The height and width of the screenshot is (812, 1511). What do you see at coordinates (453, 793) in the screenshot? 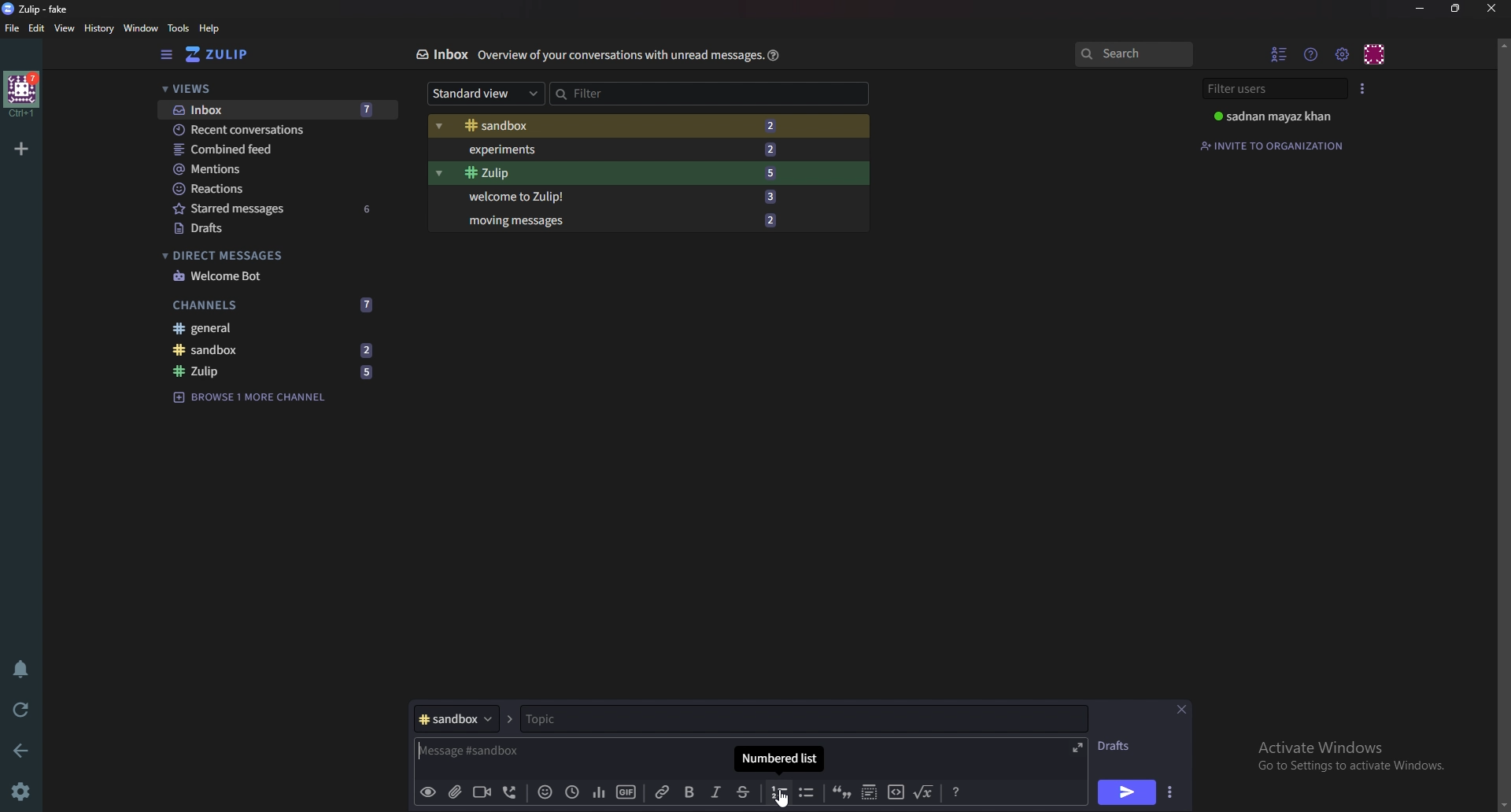
I see `Add a file` at bounding box center [453, 793].